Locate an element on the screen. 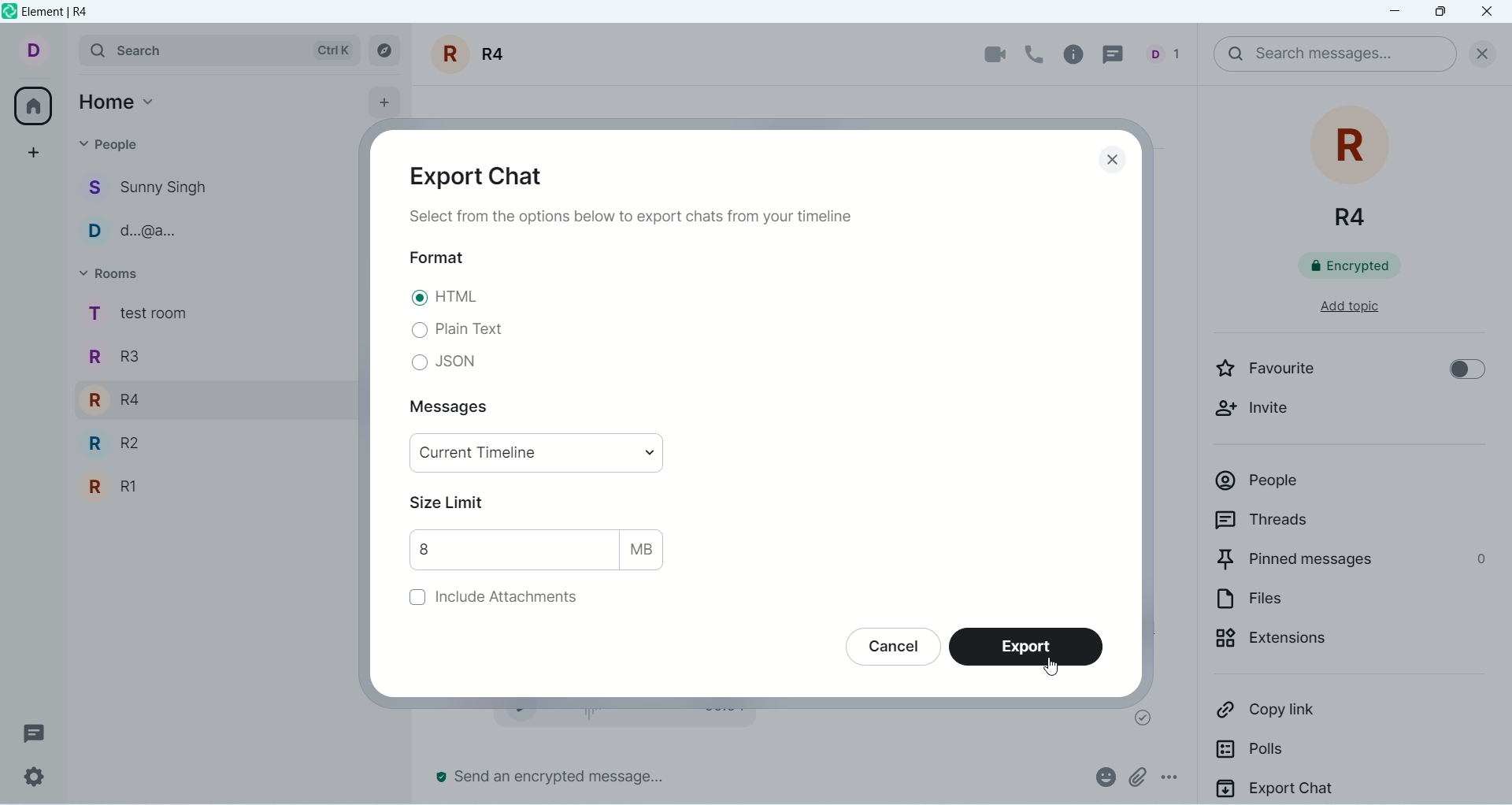  number is located at coordinates (513, 550).